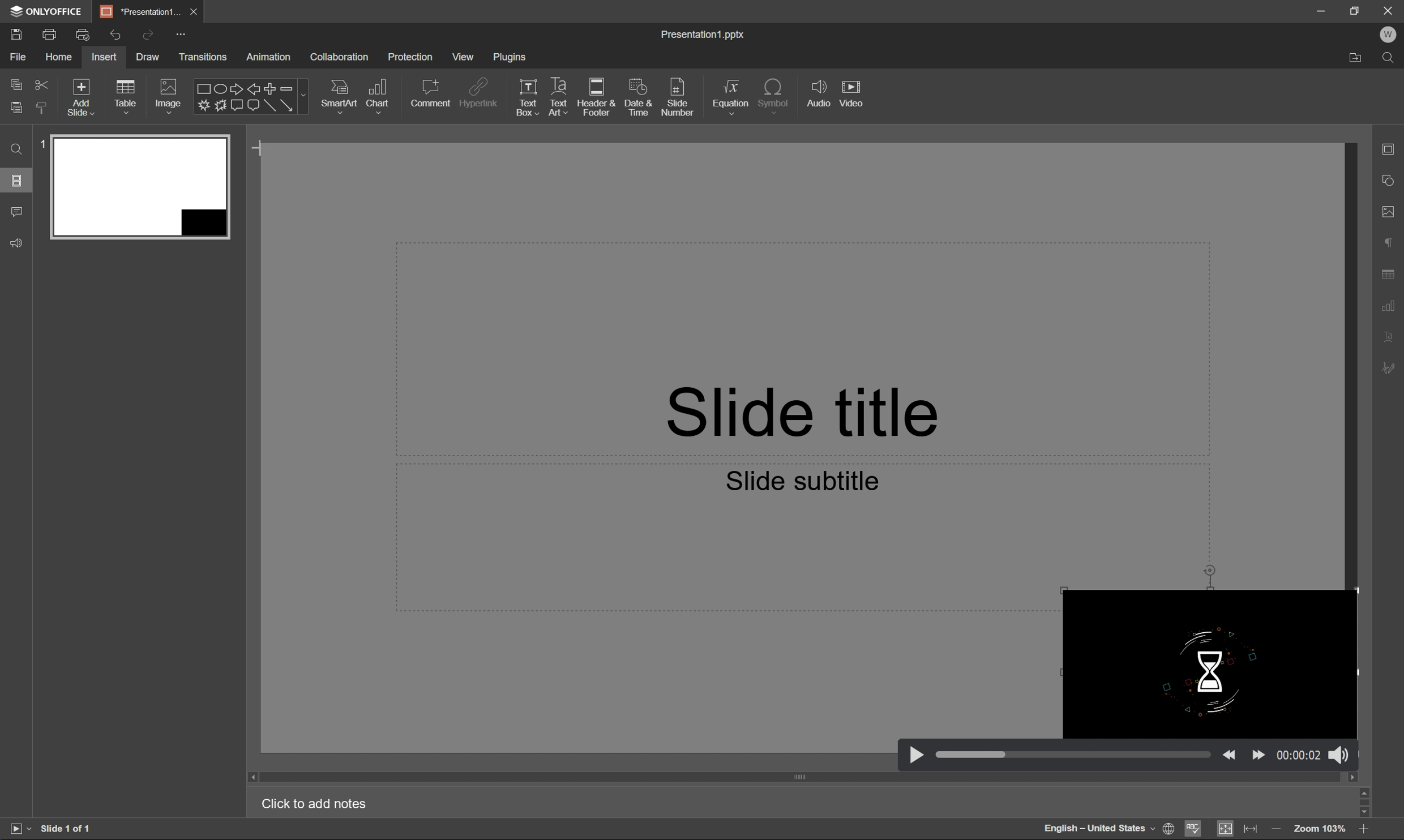 This screenshot has width=1404, height=840. I want to click on Cursor, so click(262, 150).